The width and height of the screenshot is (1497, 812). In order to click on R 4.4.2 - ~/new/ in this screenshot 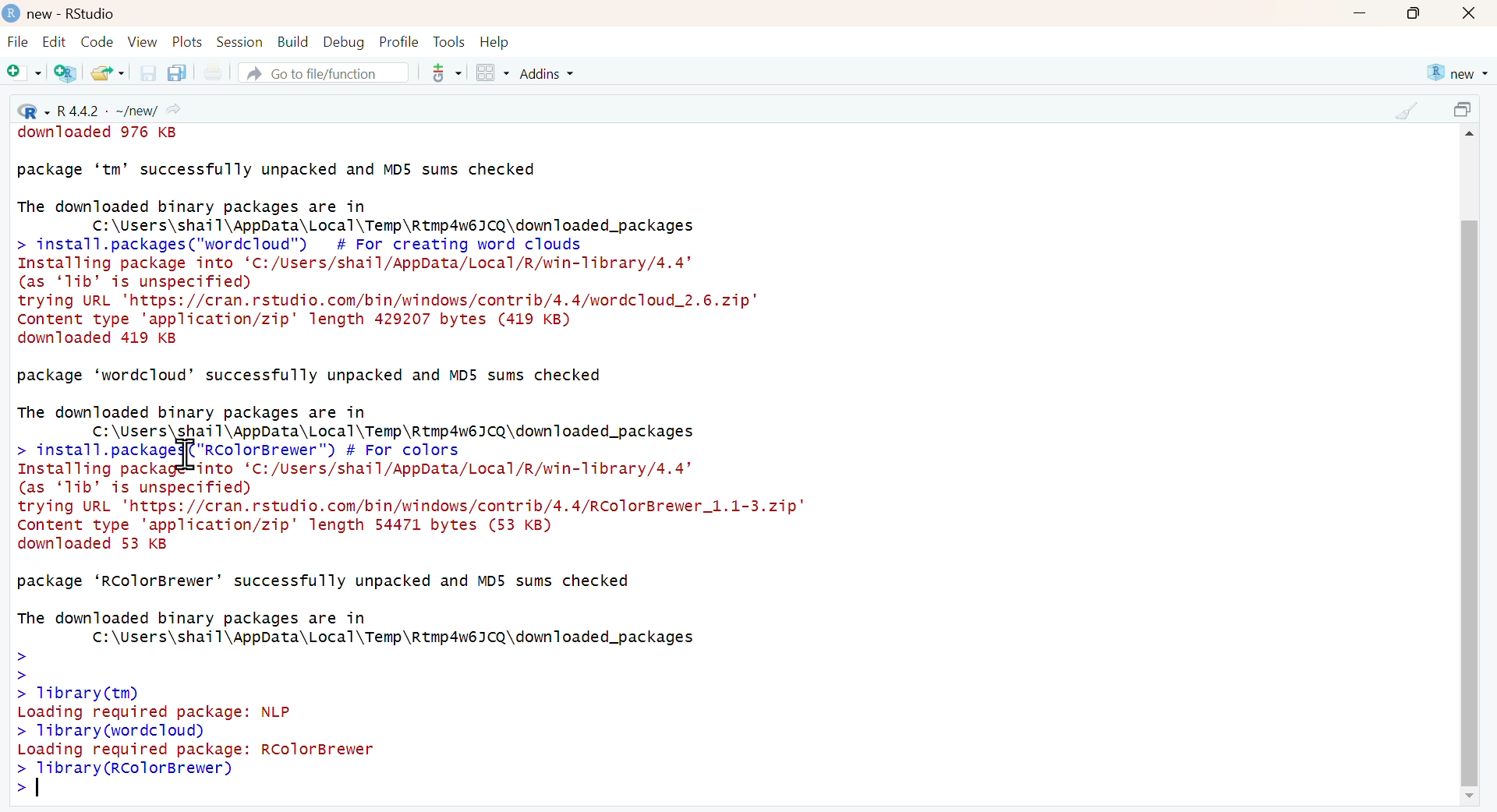, I will do `click(97, 108)`.